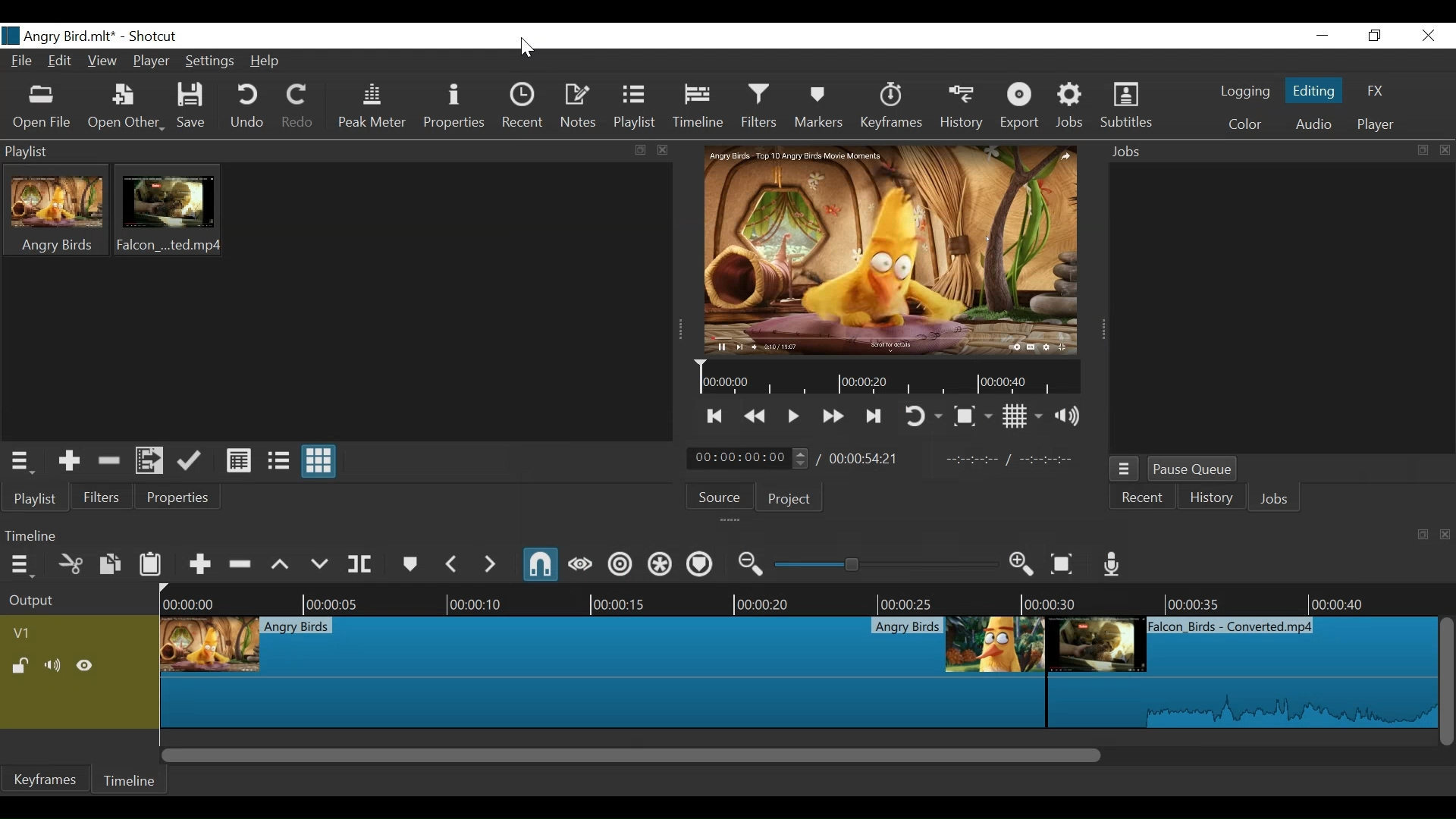  Describe the element at coordinates (111, 564) in the screenshot. I see `Copy` at that location.